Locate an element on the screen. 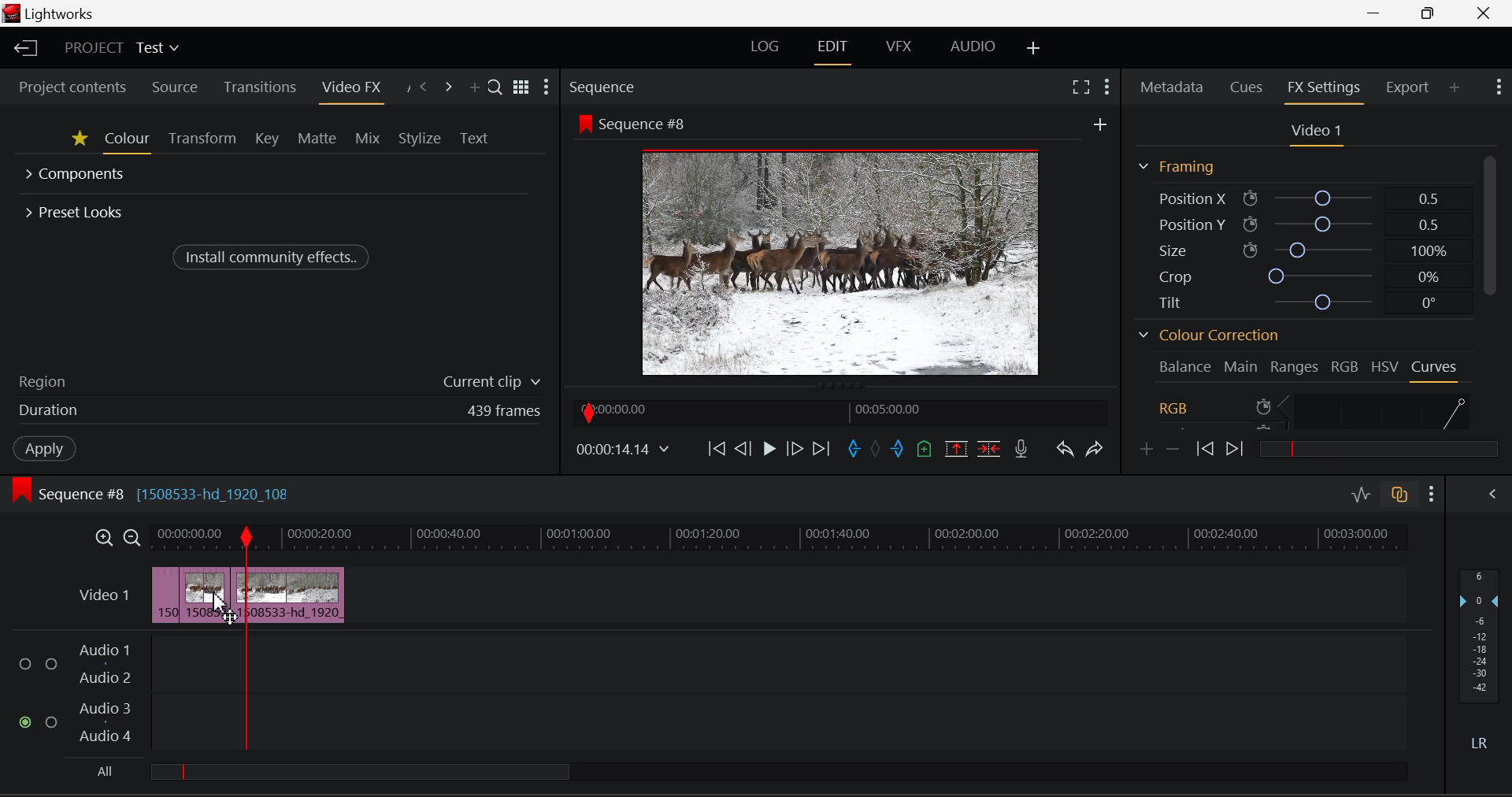 Image resolution: width=1512 pixels, height=797 pixels. Curves Tab Open is located at coordinates (1433, 369).